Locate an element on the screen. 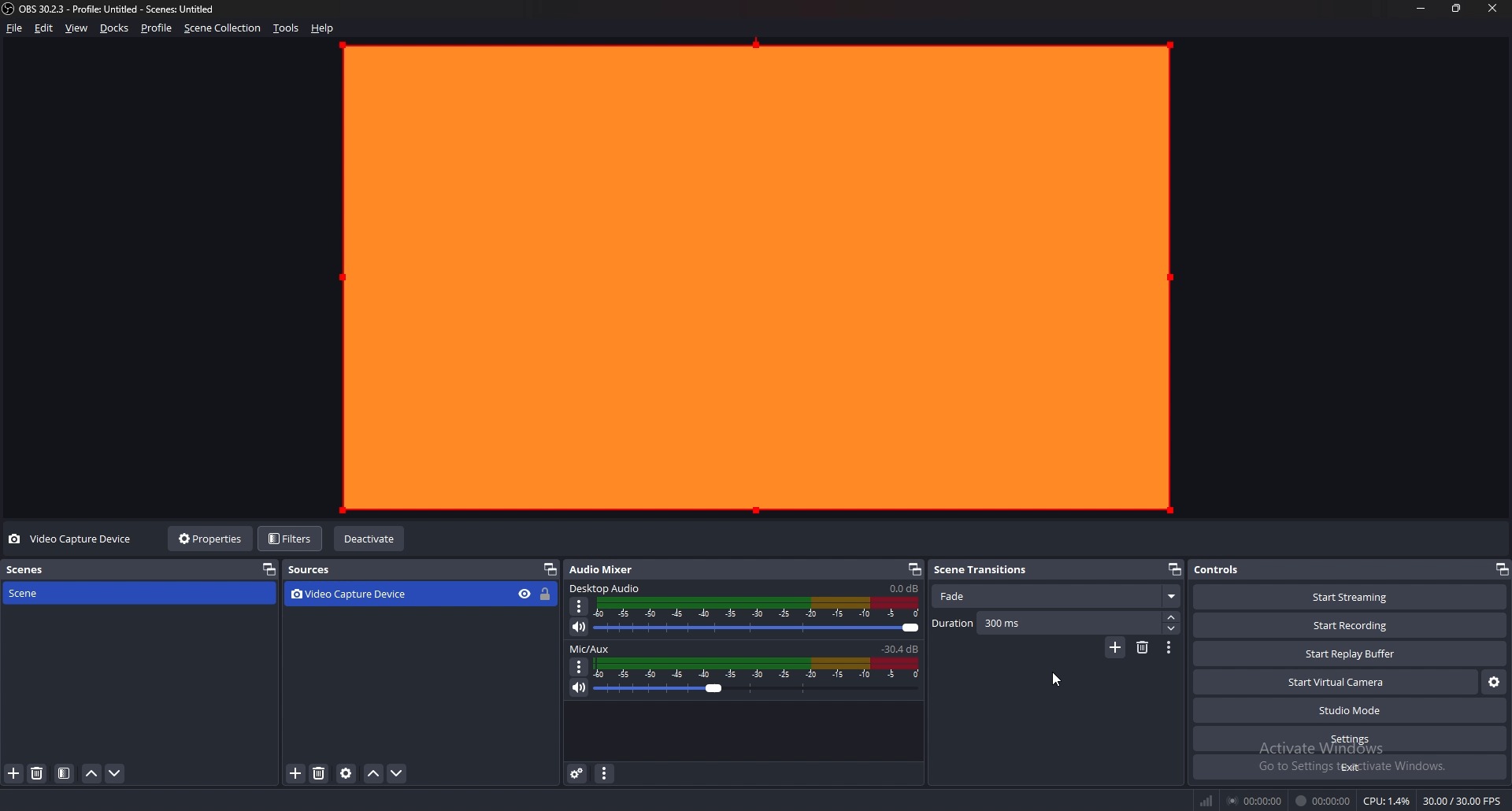 This screenshot has width=1512, height=811. move source down is located at coordinates (398, 775).